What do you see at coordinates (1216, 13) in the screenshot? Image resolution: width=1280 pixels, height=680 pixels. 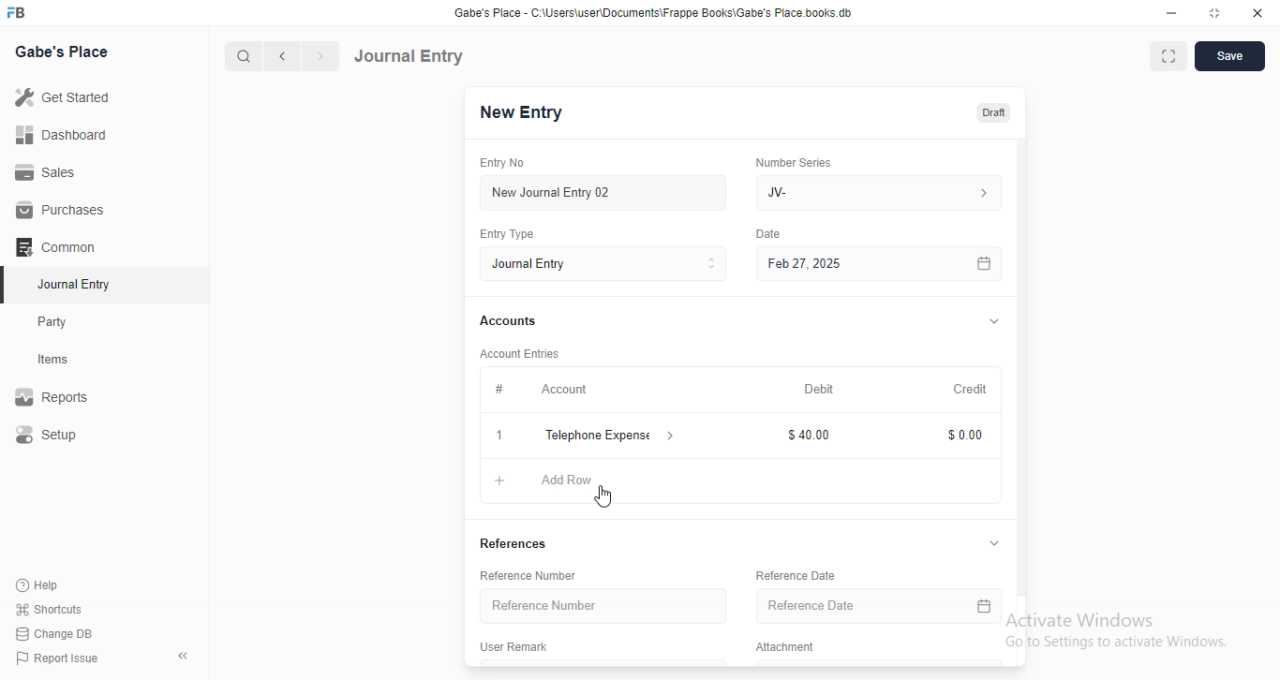 I see `Full screen` at bounding box center [1216, 13].